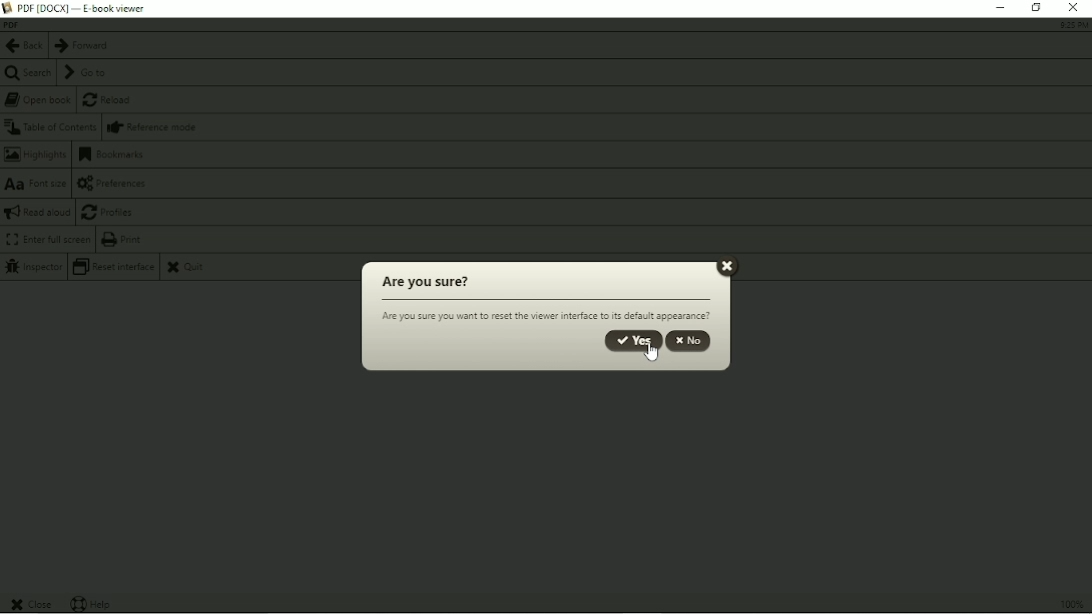 The height and width of the screenshot is (614, 1092). What do you see at coordinates (117, 183) in the screenshot?
I see `Preferences` at bounding box center [117, 183].